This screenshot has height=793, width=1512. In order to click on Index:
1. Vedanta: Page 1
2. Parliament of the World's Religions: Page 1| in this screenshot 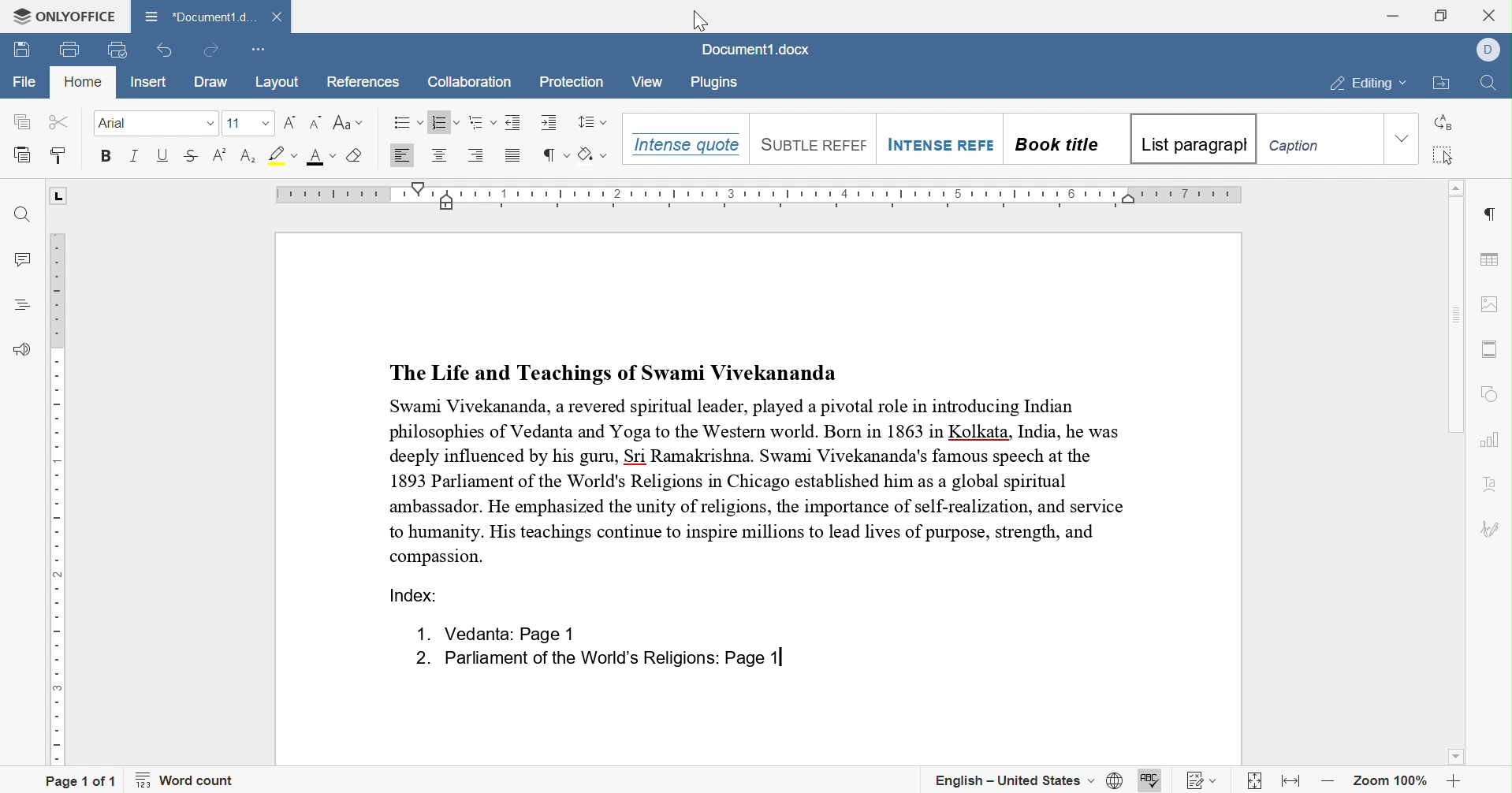, I will do `click(582, 631)`.